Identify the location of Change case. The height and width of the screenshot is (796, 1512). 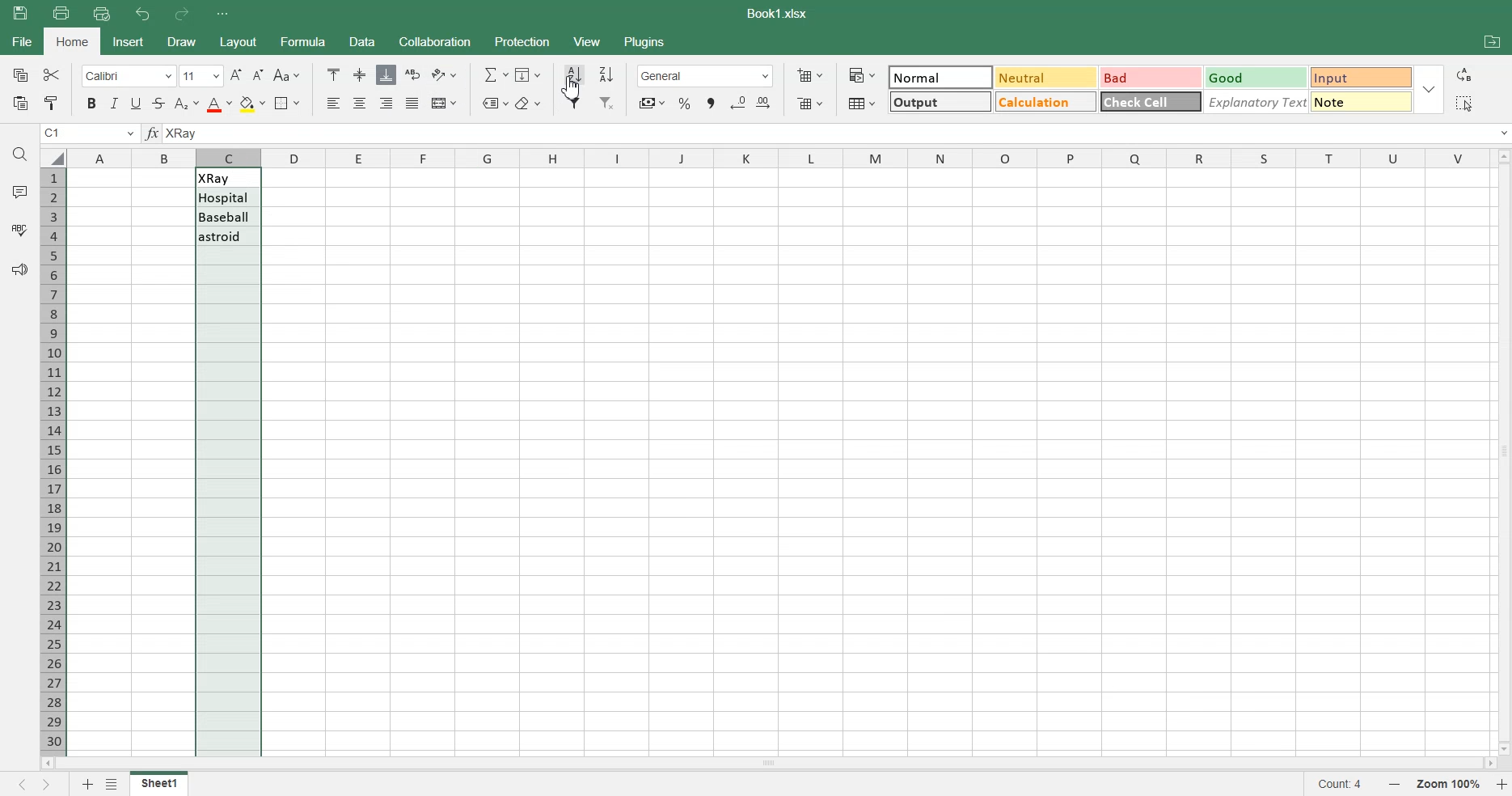
(286, 75).